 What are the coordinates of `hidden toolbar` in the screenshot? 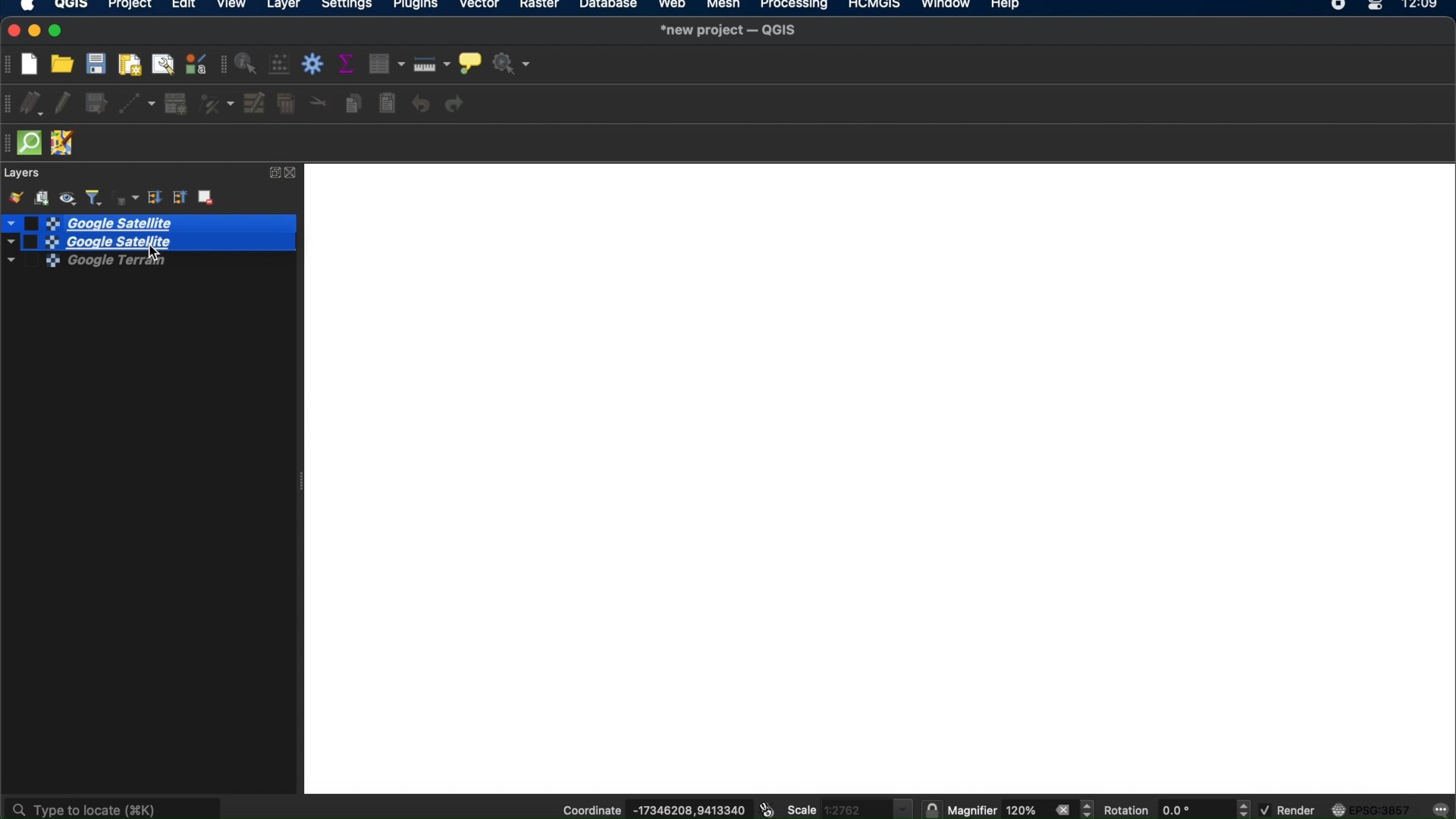 It's located at (9, 143).